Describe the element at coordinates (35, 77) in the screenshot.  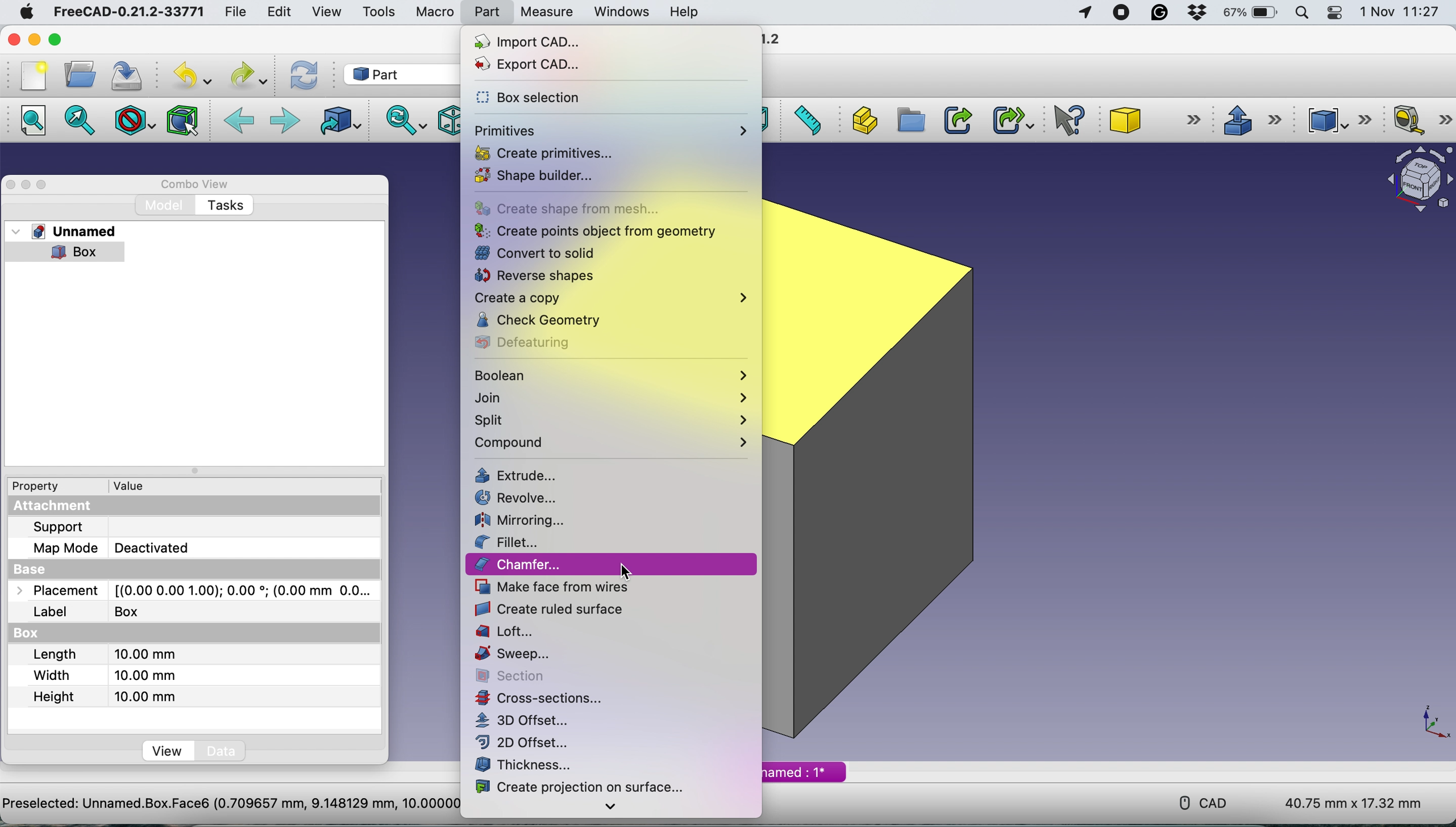
I see `new` at that location.